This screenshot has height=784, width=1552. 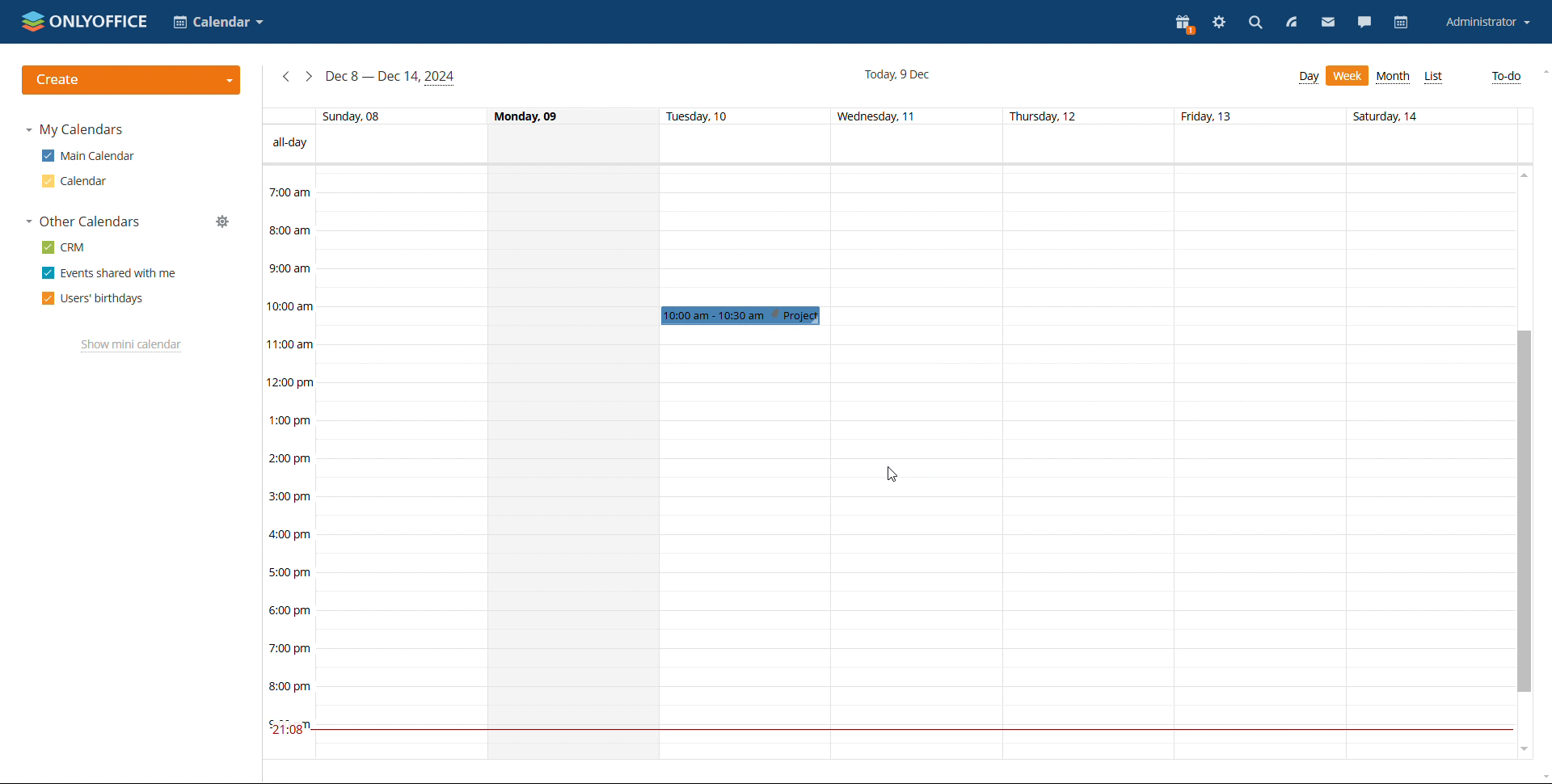 I want to click on manage, so click(x=222, y=222).